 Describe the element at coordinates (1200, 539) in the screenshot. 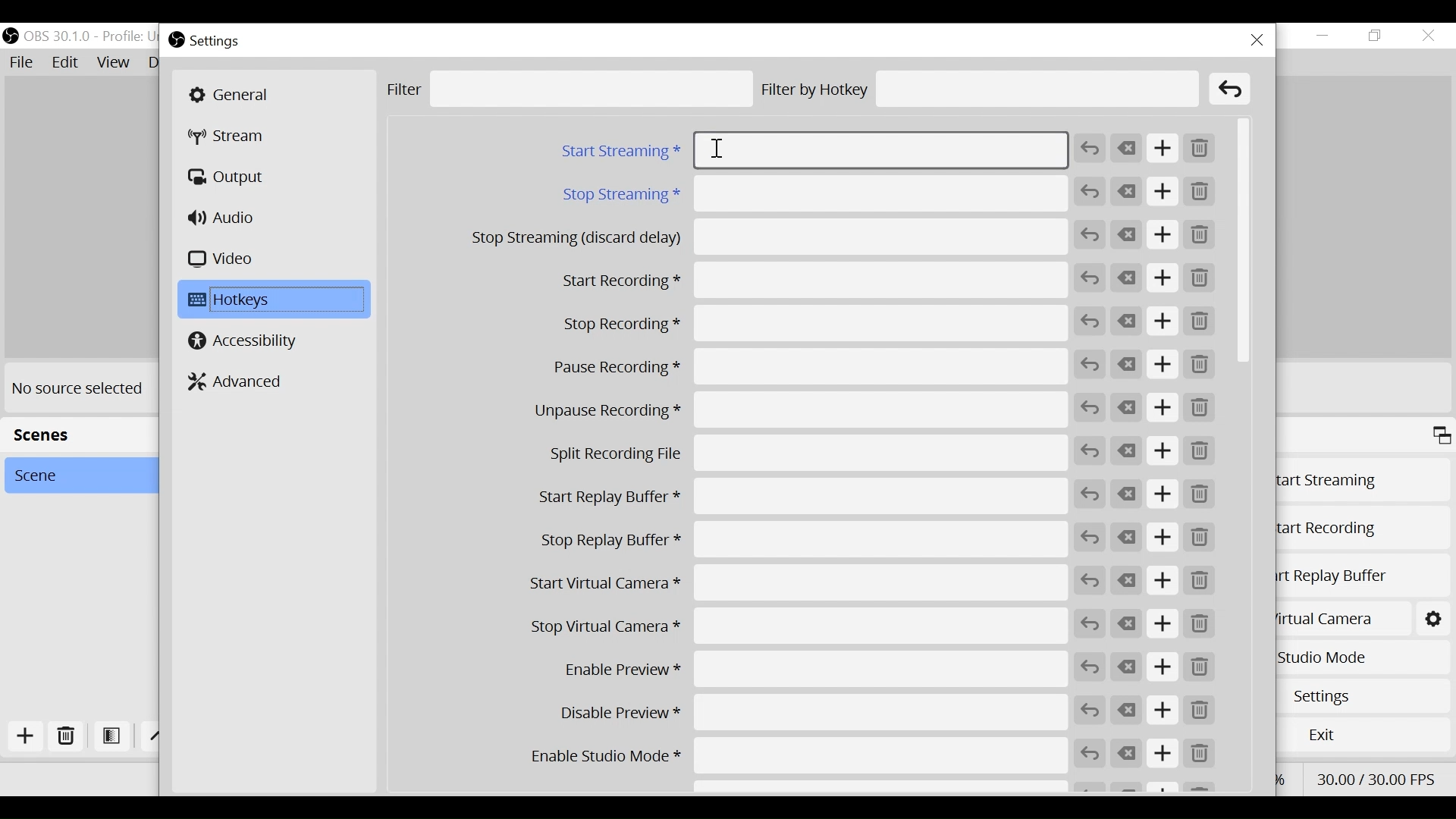

I see `Remove` at that location.